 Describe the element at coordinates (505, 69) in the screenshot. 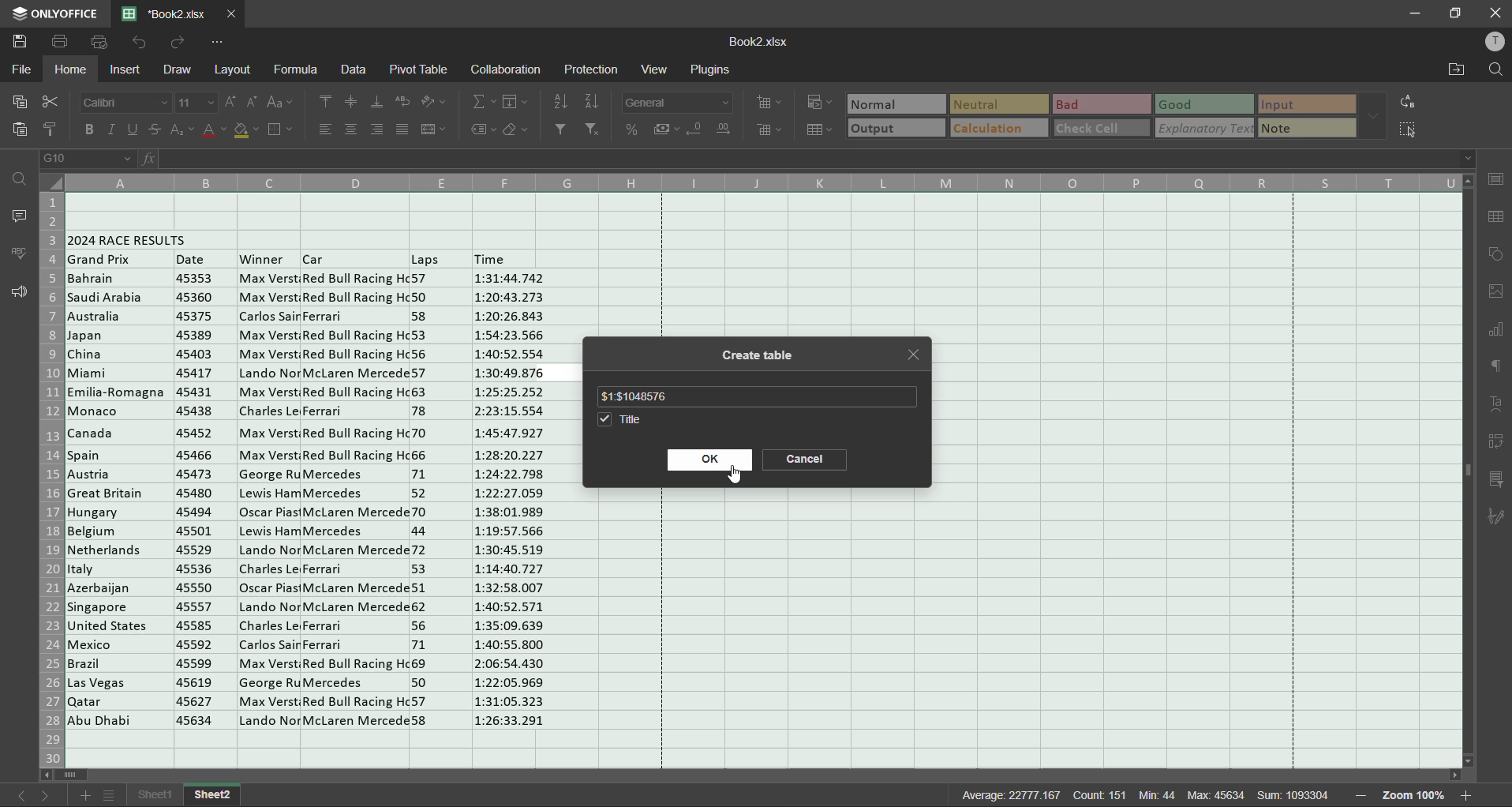

I see `collaboration` at that location.